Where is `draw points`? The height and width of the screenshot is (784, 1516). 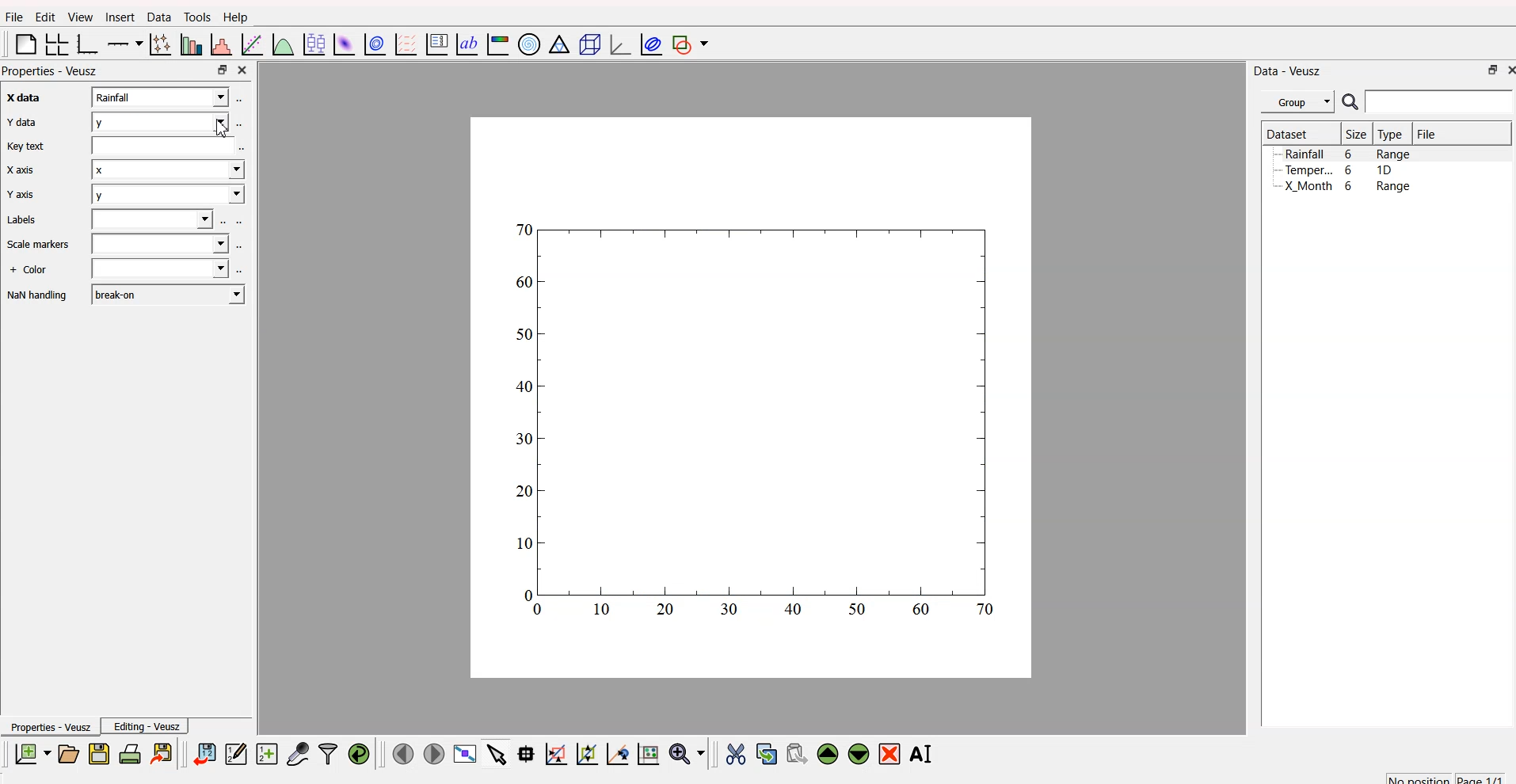 draw points is located at coordinates (584, 754).